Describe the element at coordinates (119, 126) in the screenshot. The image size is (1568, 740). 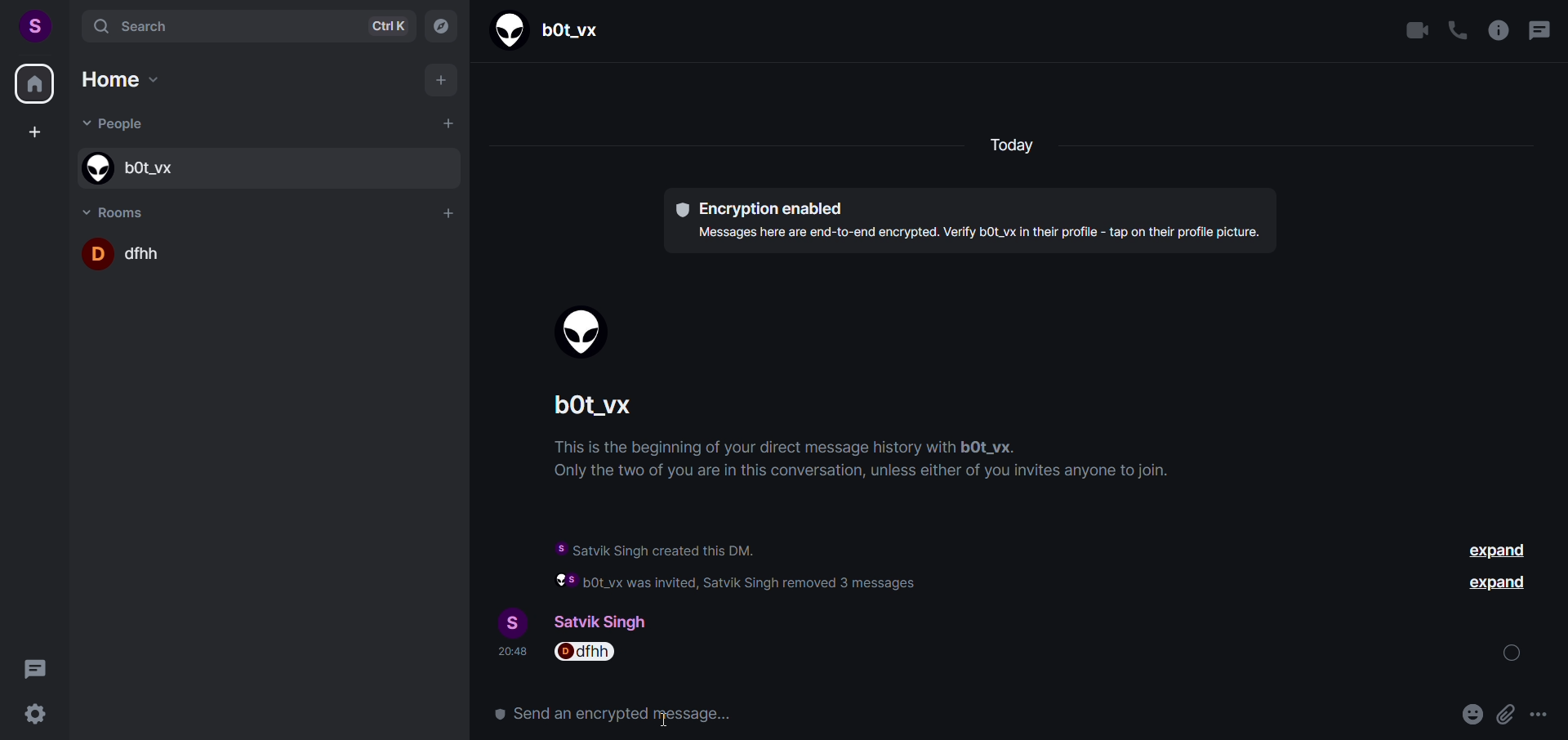
I see `people` at that location.